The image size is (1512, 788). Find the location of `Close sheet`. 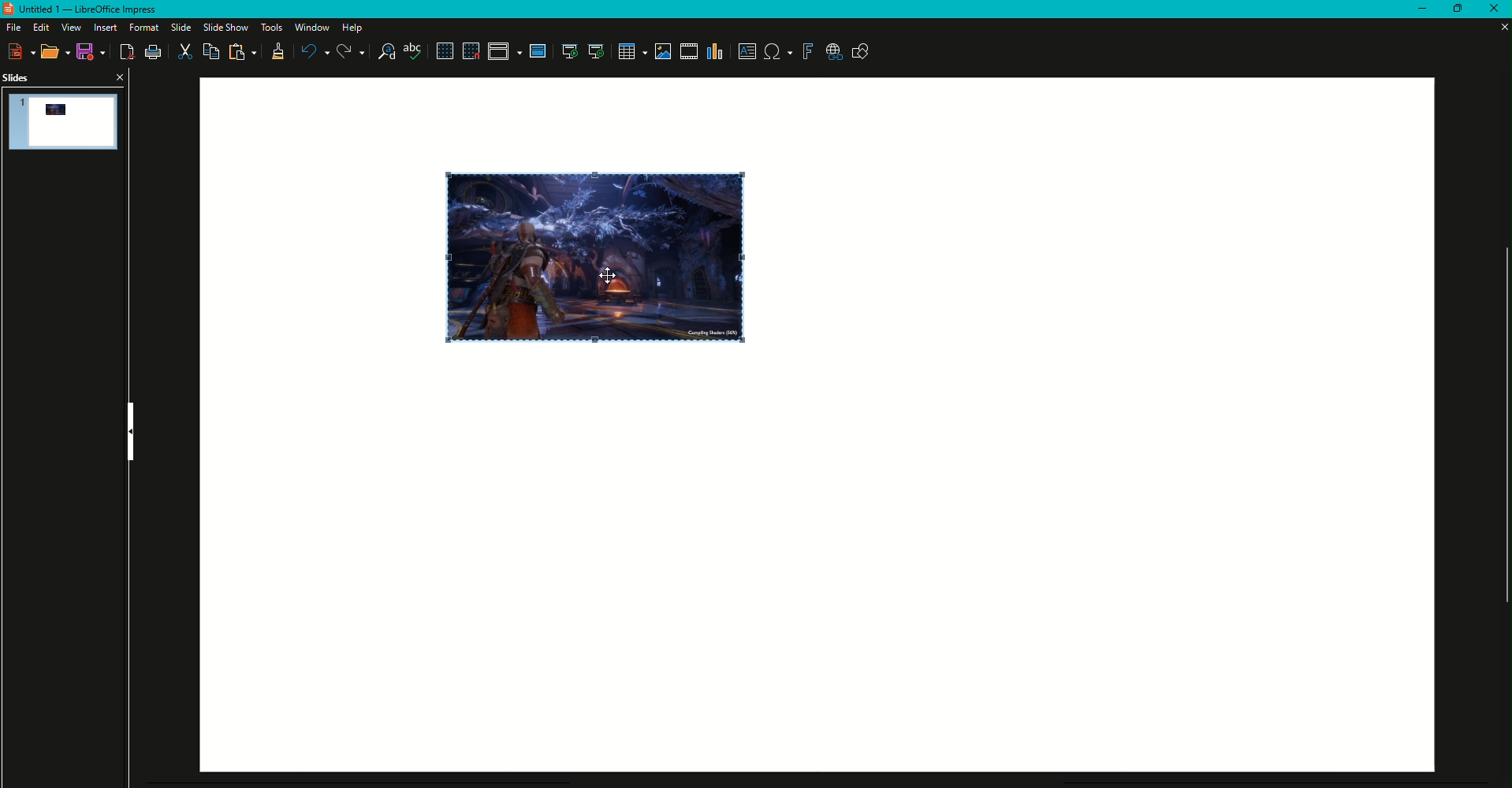

Close sheet is located at coordinates (1498, 27).